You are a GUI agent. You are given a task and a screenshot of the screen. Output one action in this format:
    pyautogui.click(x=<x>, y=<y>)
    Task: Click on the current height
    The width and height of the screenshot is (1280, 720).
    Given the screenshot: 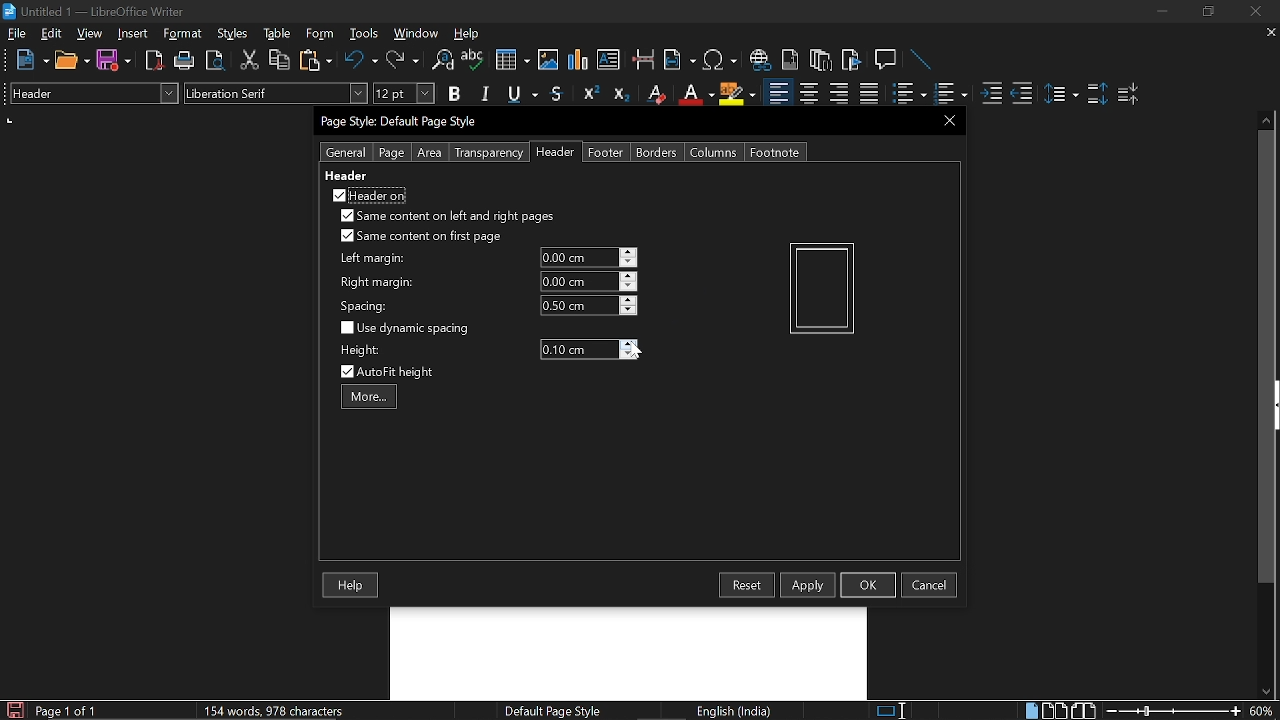 What is the action you would take?
    pyautogui.click(x=578, y=350)
    